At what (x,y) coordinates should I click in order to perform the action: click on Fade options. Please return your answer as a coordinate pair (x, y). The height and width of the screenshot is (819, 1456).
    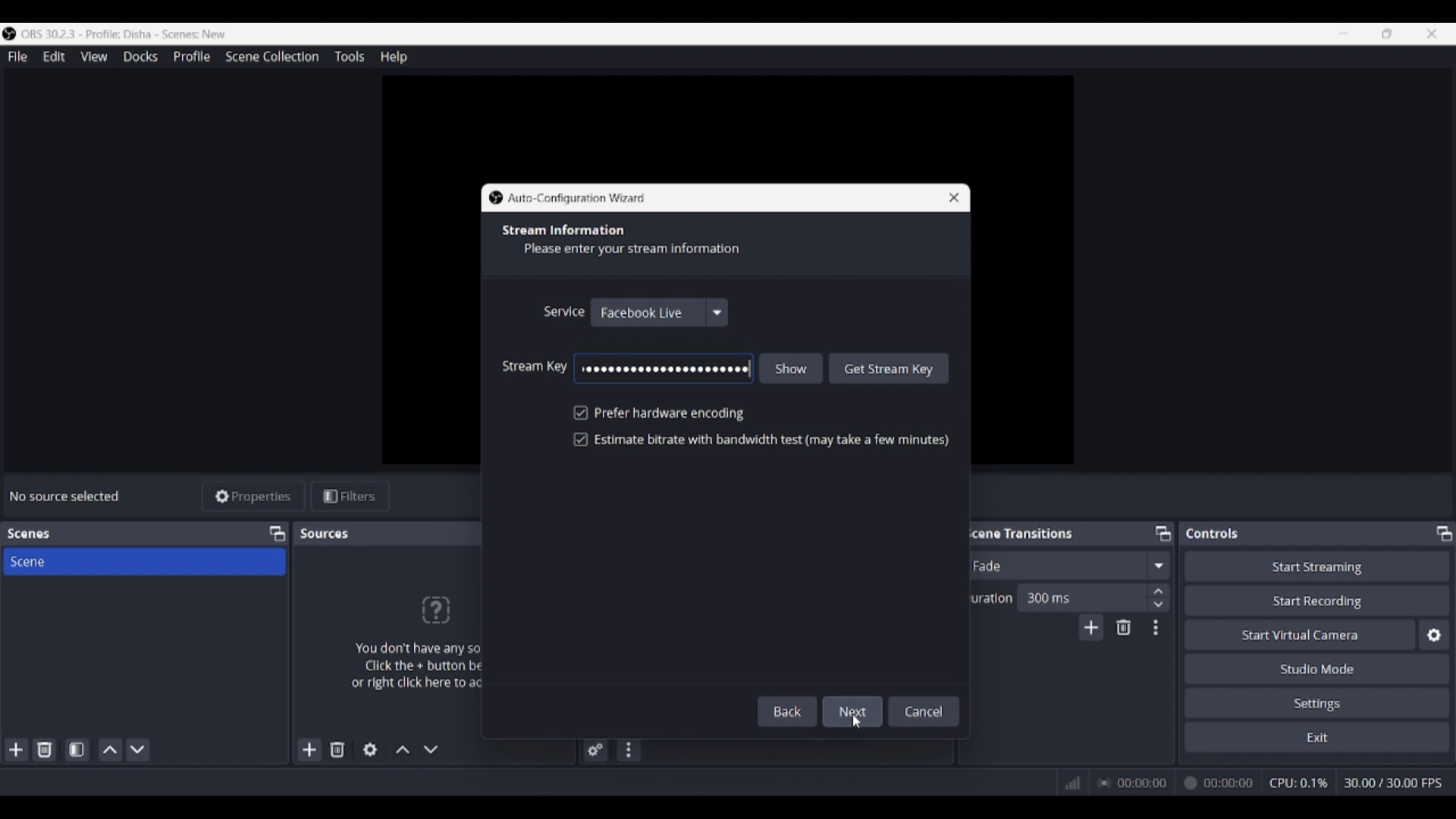
    Looking at the image, I should click on (1158, 565).